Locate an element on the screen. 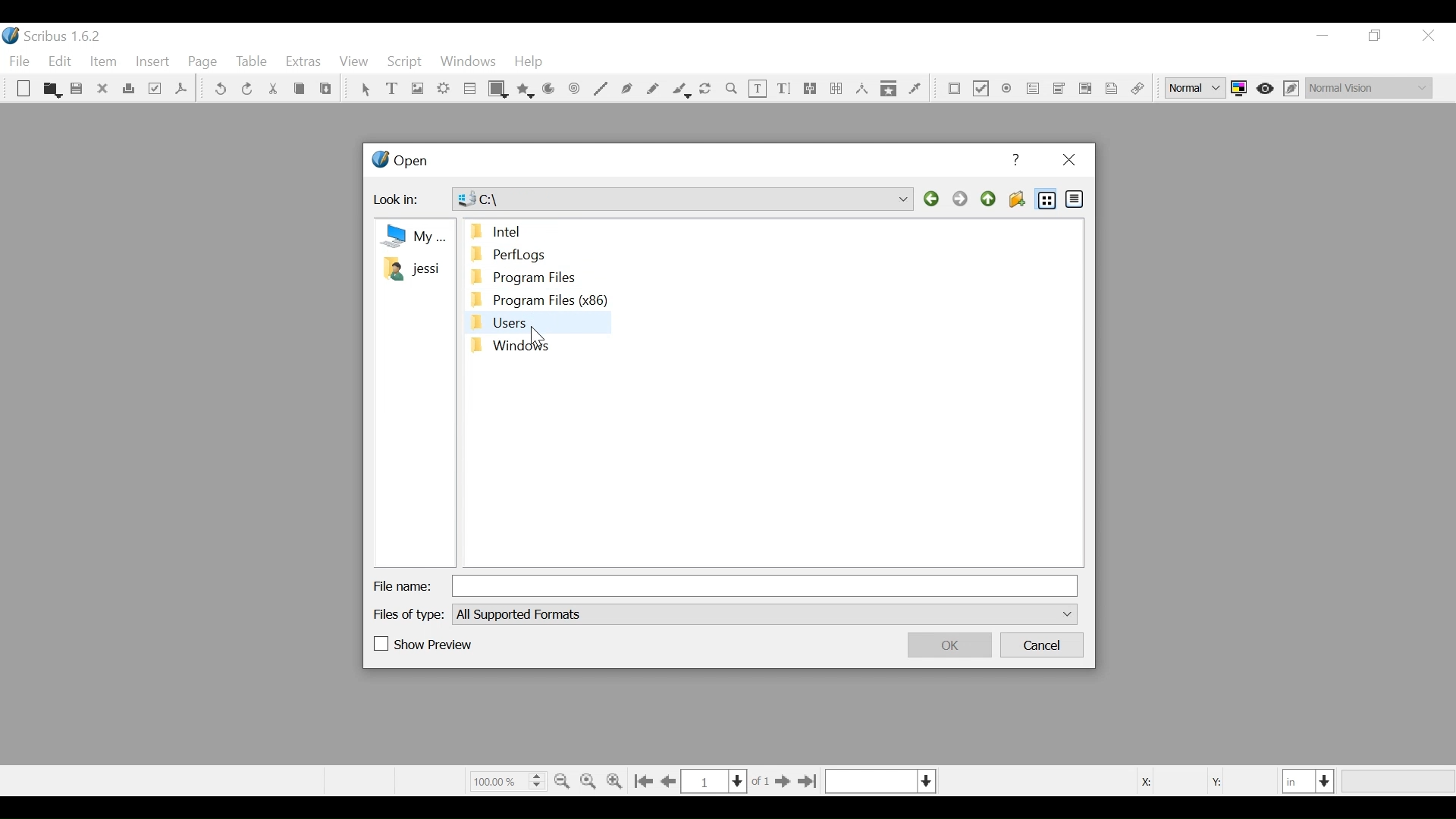  OK is located at coordinates (947, 645).